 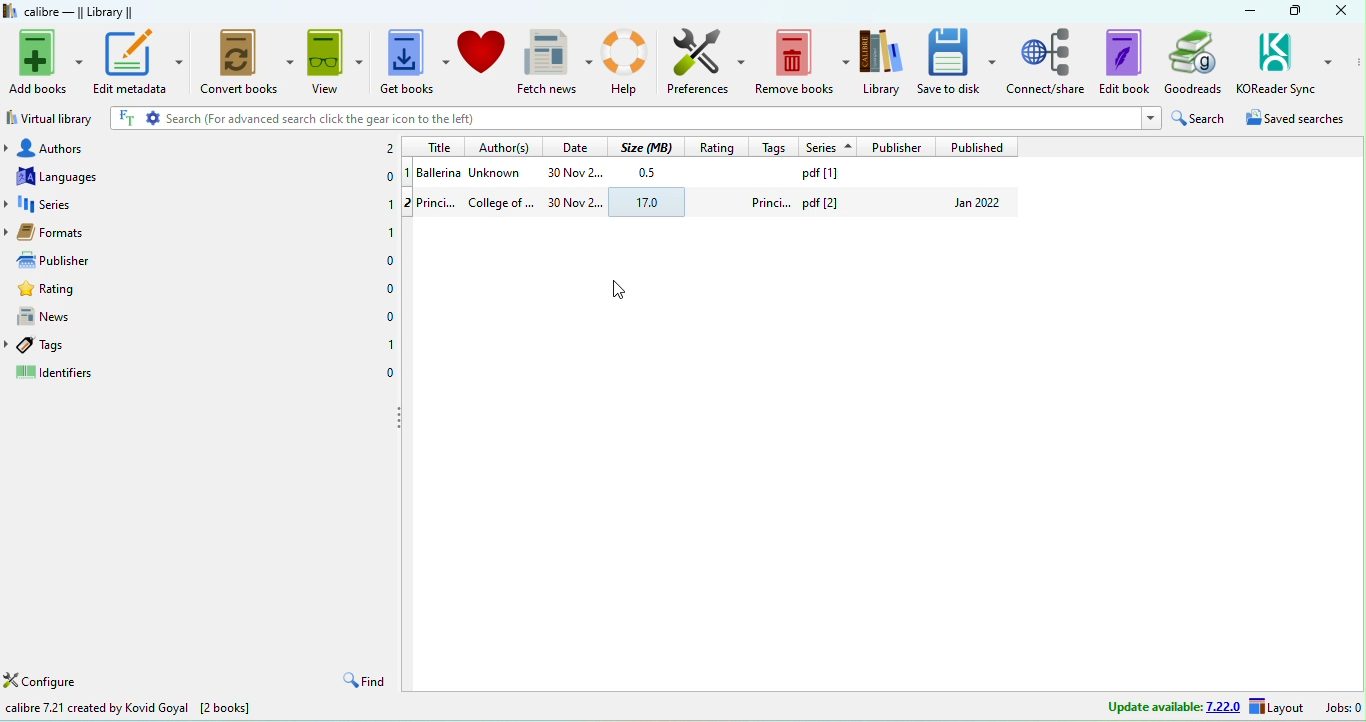 I want to click on 0, so click(x=390, y=261).